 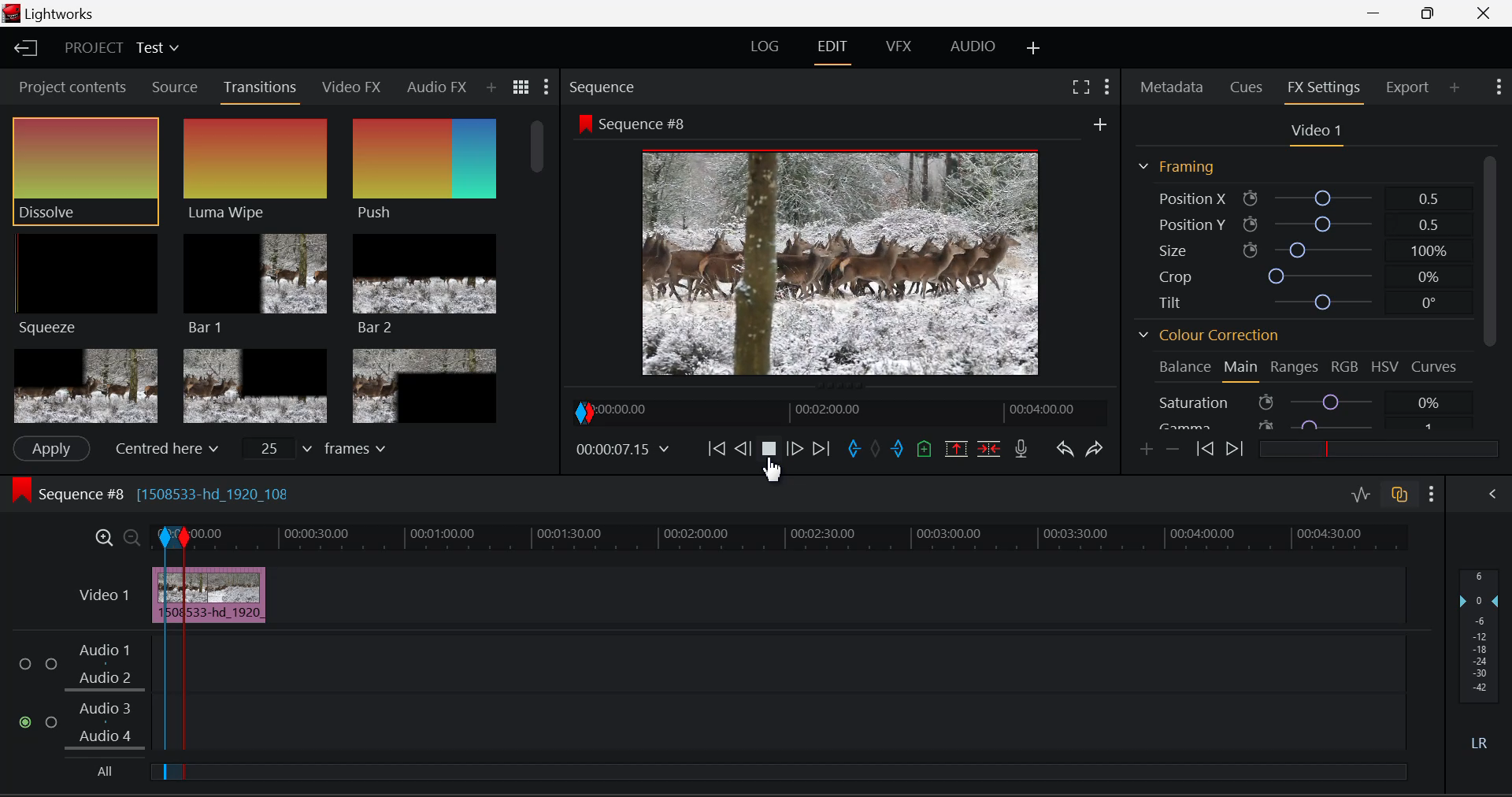 I want to click on Timeline Zoom In, so click(x=104, y=537).